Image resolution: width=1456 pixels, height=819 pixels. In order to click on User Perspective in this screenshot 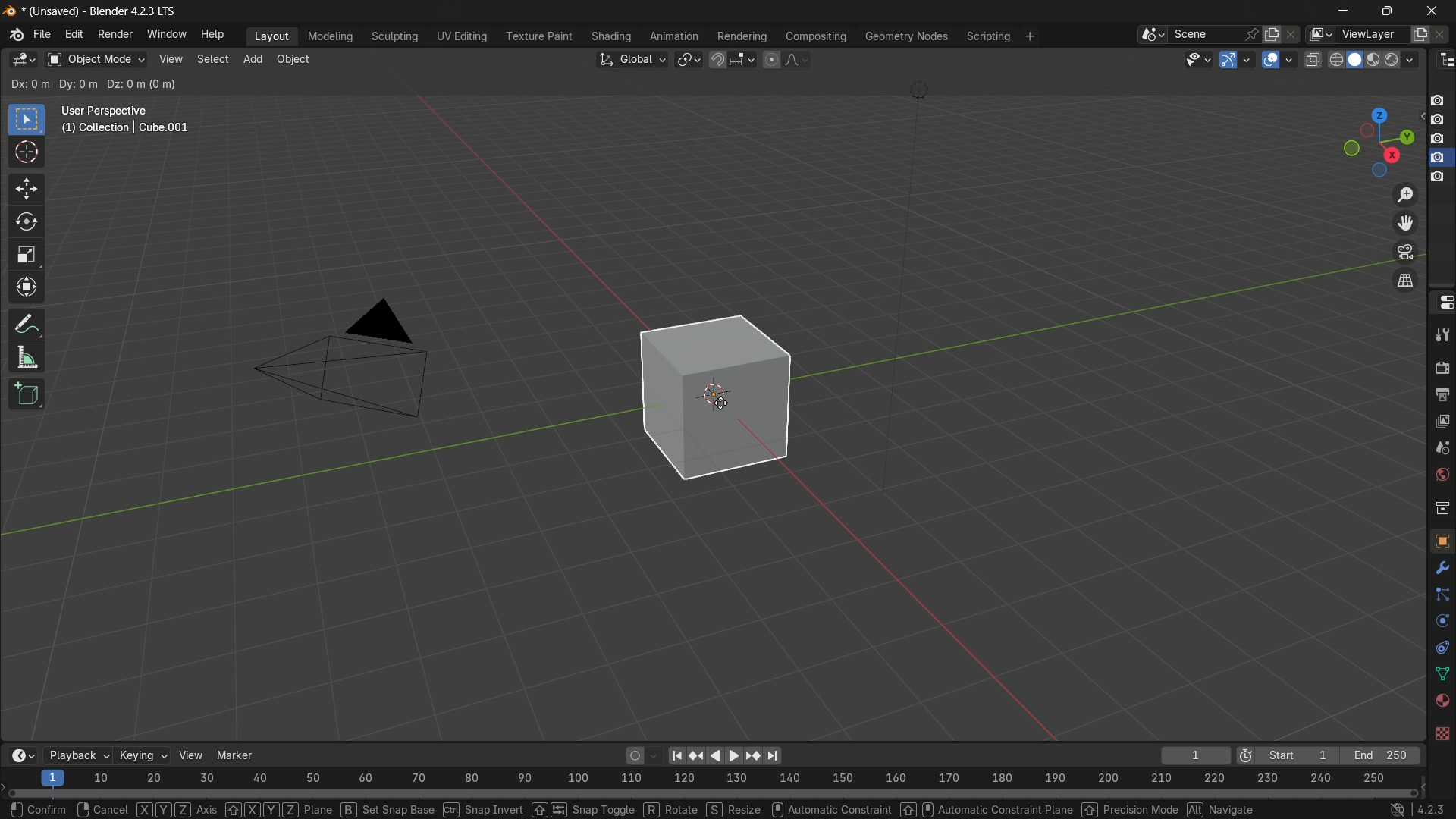, I will do `click(130, 121)`.